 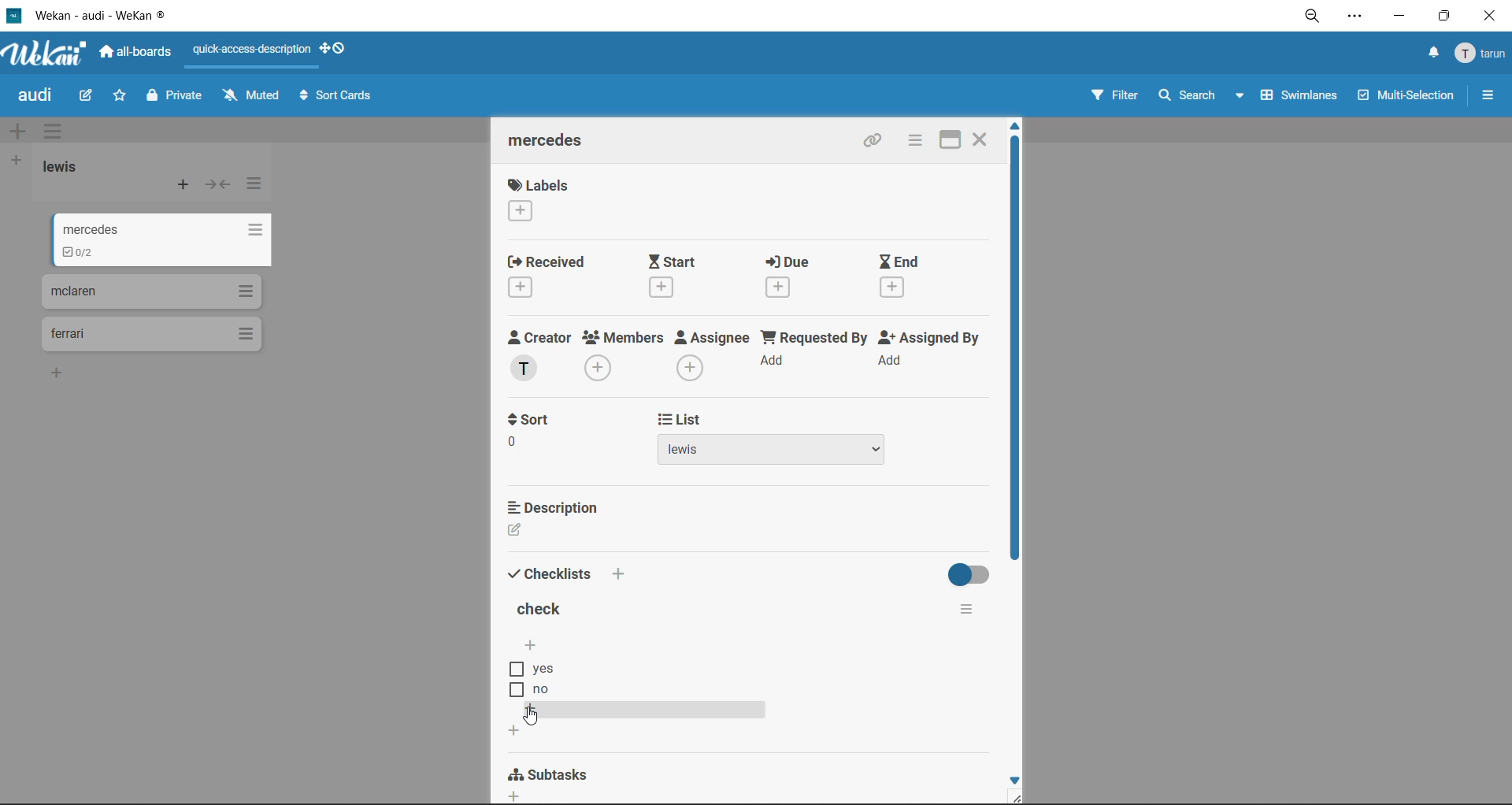 What do you see at coordinates (20, 161) in the screenshot?
I see `add list` at bounding box center [20, 161].